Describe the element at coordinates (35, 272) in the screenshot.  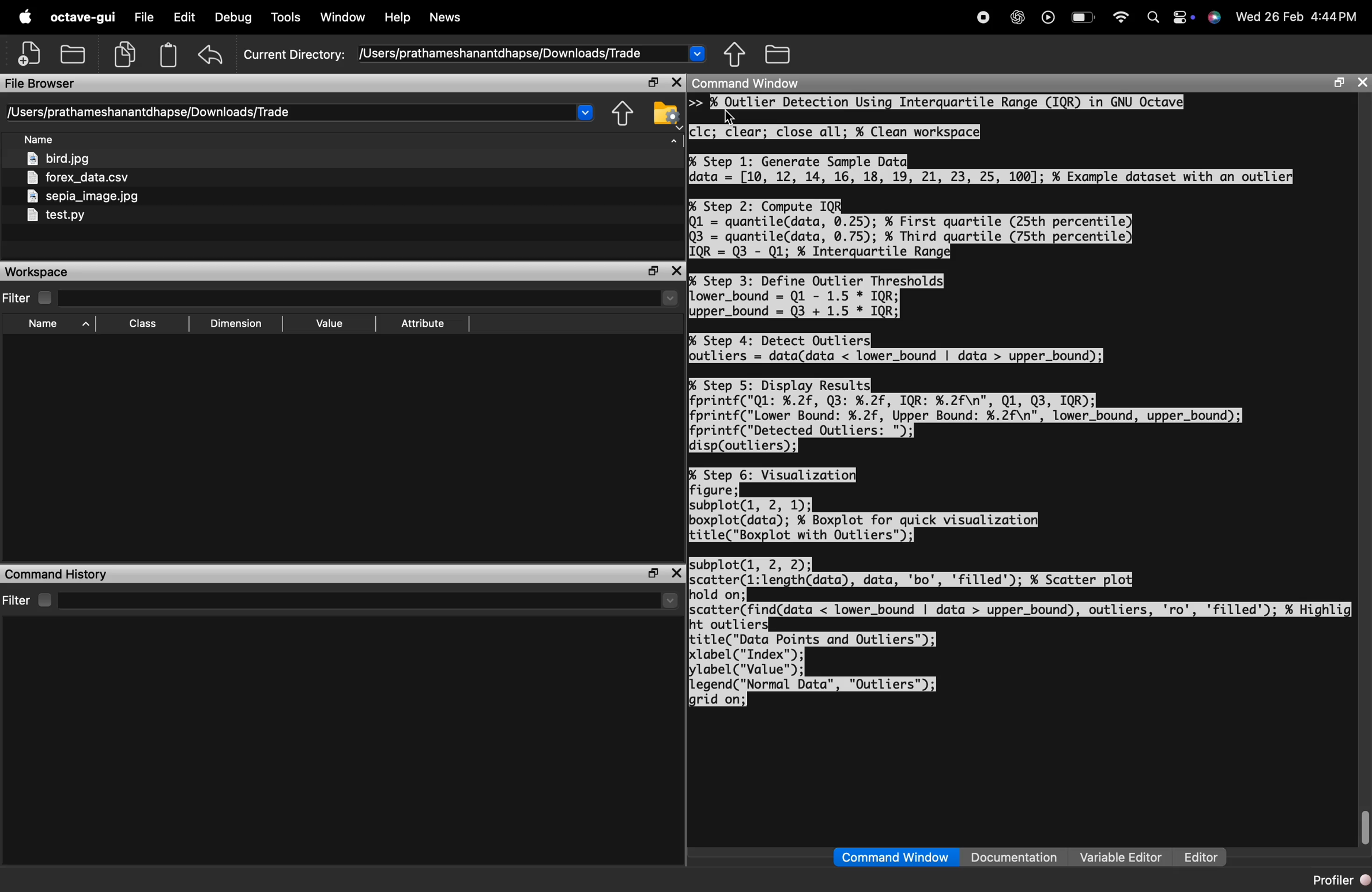
I see `Workspace` at that location.